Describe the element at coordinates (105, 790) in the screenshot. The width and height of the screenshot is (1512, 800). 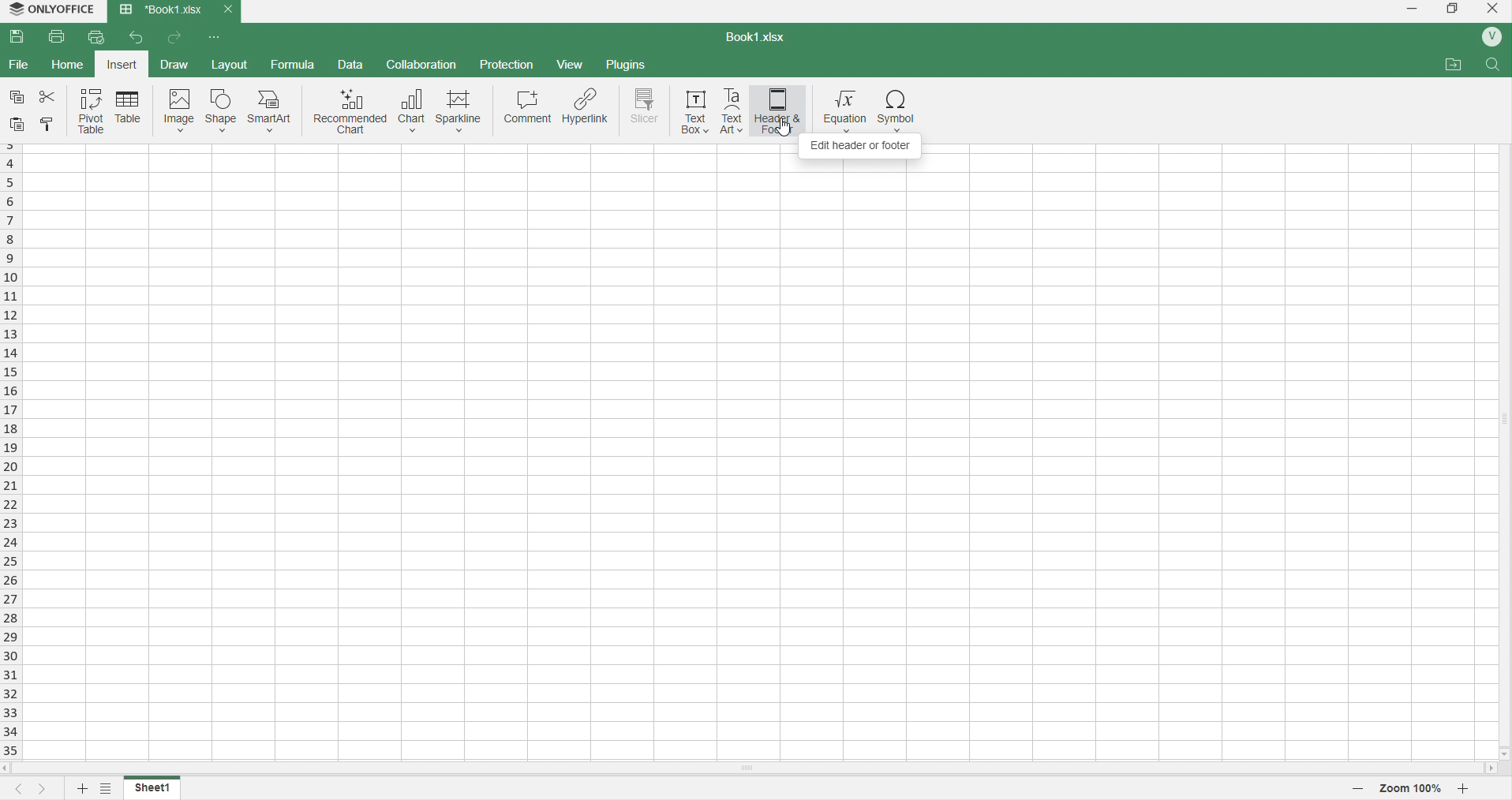
I see `options` at that location.